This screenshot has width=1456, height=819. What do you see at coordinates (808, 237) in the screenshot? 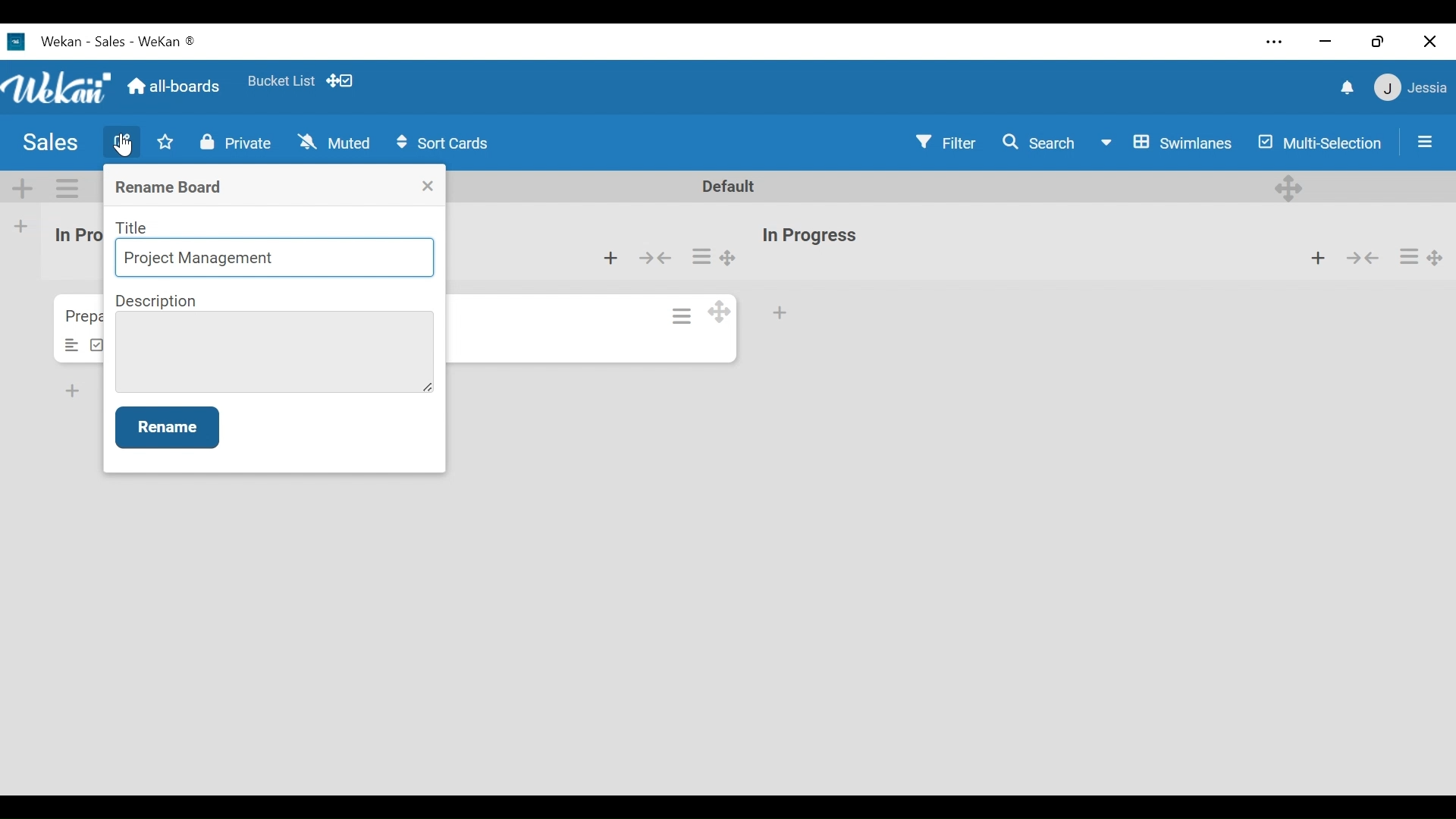
I see `List name` at bounding box center [808, 237].